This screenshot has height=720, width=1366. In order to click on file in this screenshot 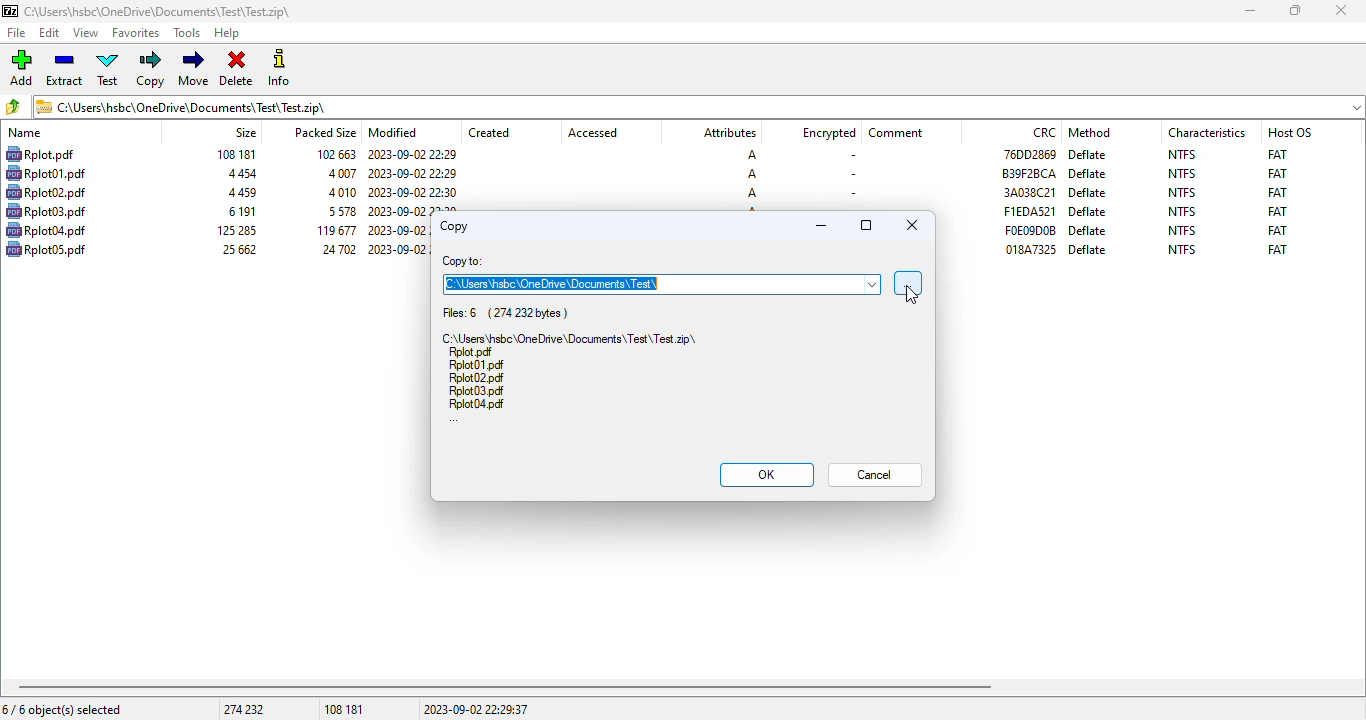, I will do `click(477, 404)`.